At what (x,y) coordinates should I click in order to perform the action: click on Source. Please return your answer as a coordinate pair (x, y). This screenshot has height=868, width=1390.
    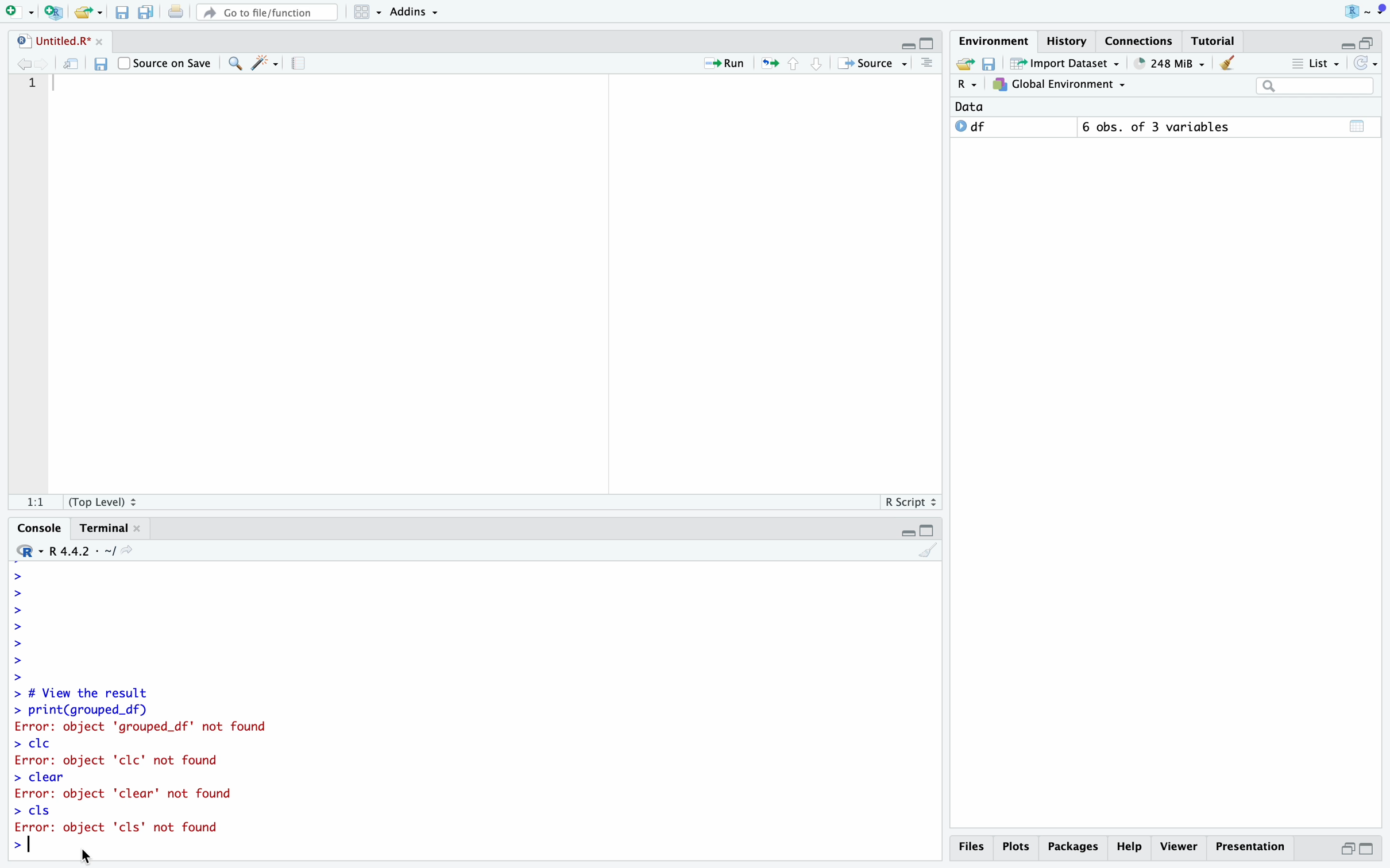
    Looking at the image, I should click on (872, 63).